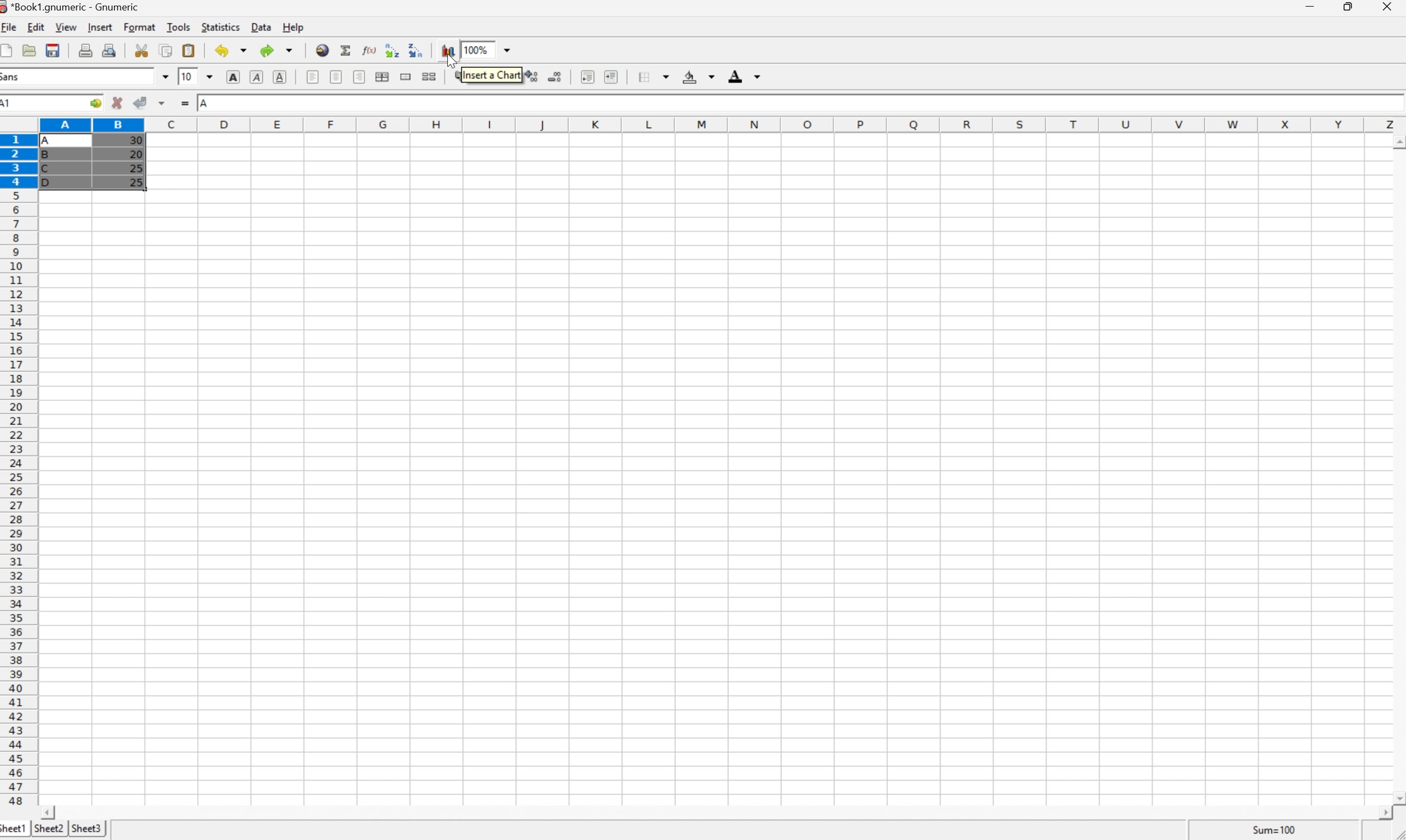 This screenshot has height=840, width=1406. I want to click on Help, so click(294, 27).